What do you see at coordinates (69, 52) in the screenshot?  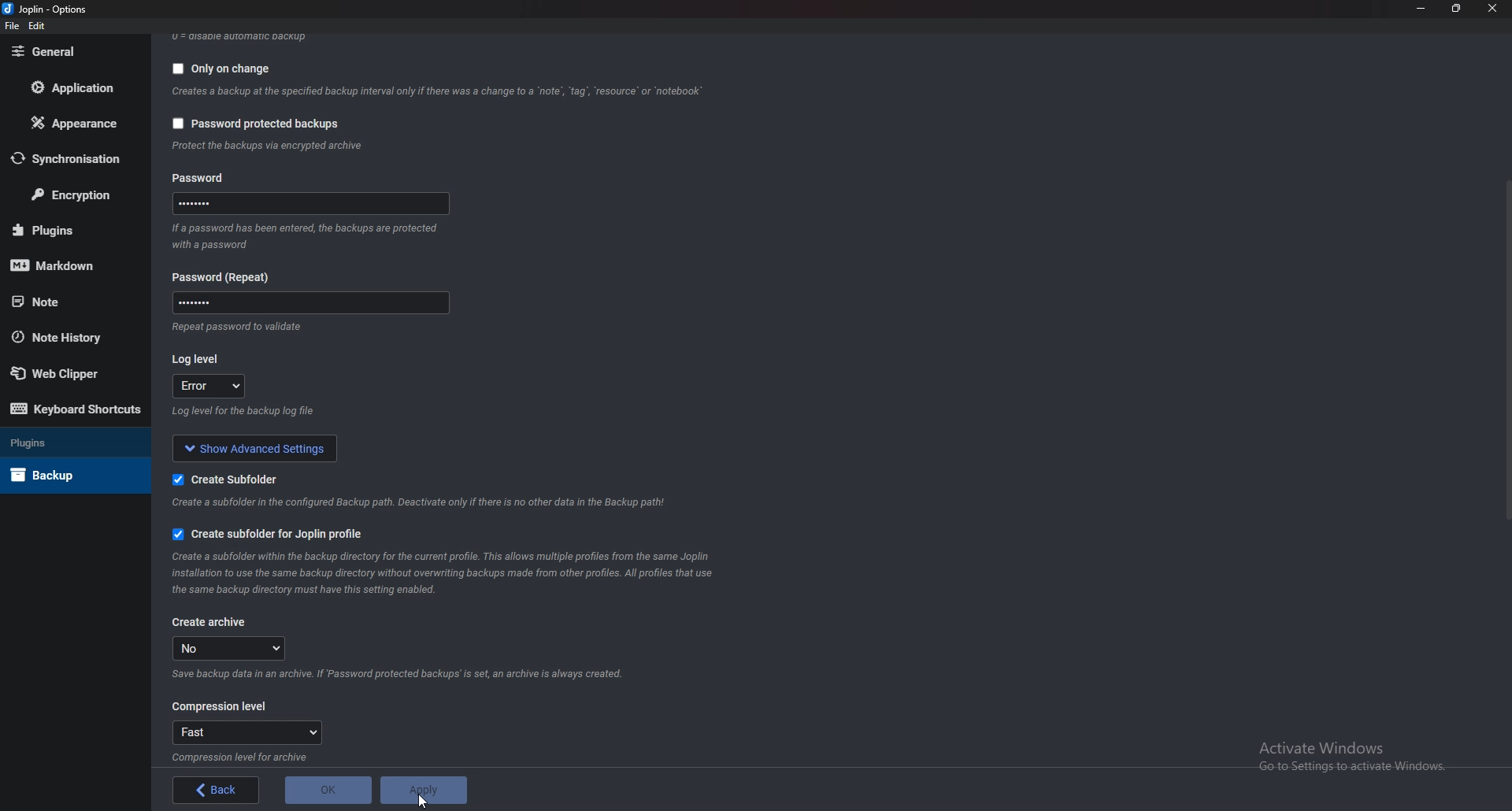 I see `General` at bounding box center [69, 52].